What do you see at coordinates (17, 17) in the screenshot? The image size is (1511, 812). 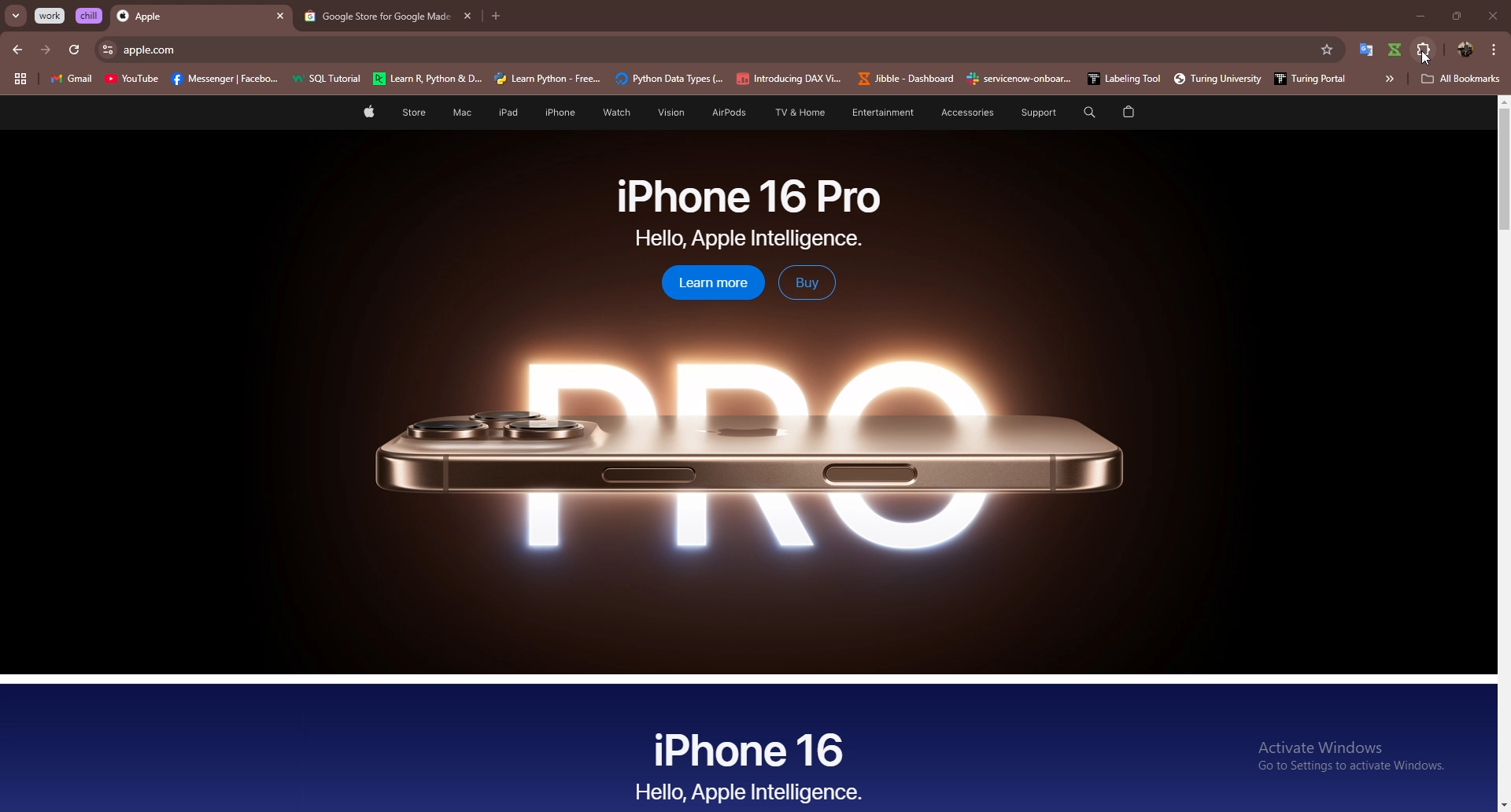 I see `search tabs` at bounding box center [17, 17].